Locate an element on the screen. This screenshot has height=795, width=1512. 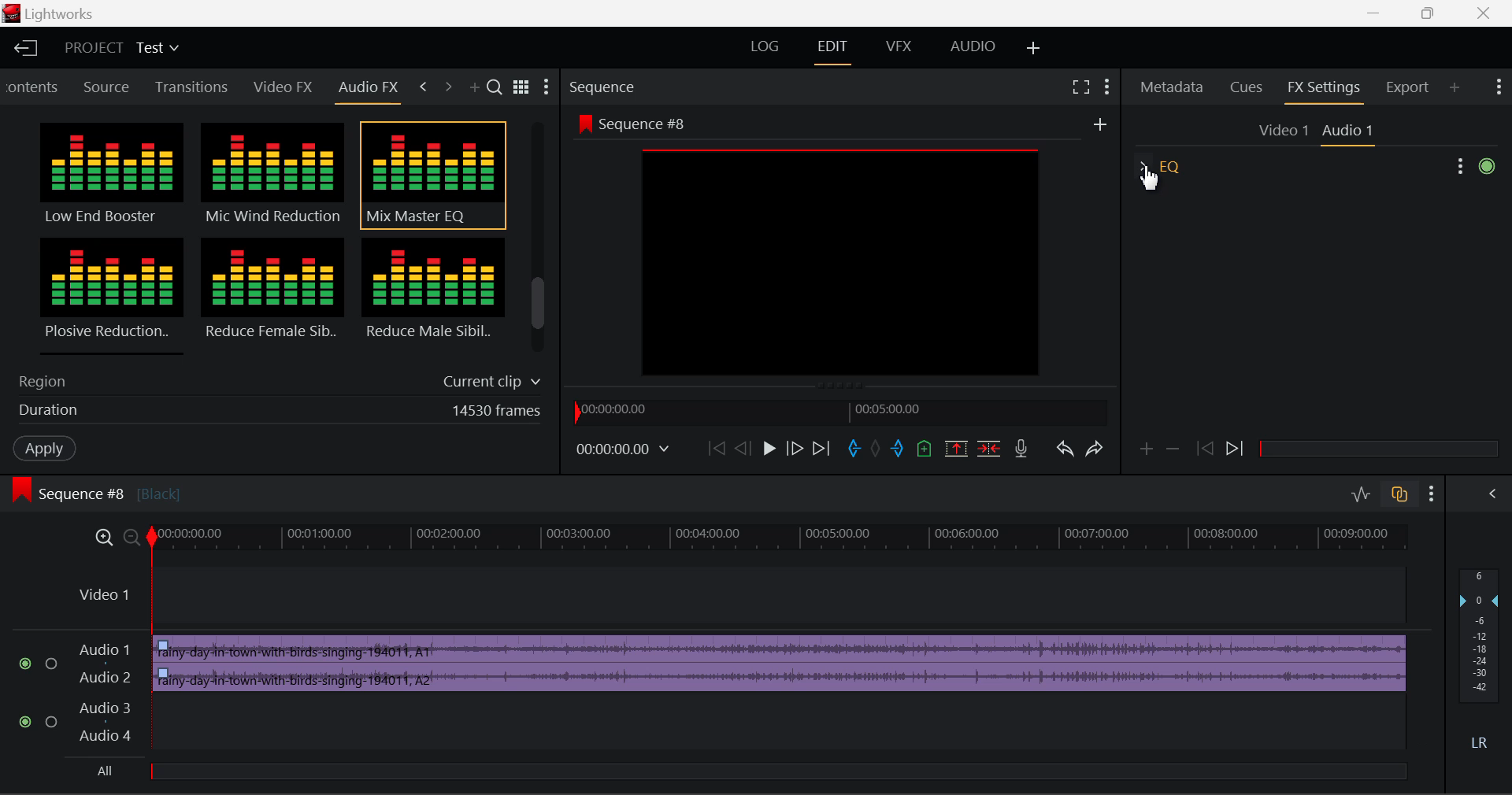
Undo is located at coordinates (1067, 453).